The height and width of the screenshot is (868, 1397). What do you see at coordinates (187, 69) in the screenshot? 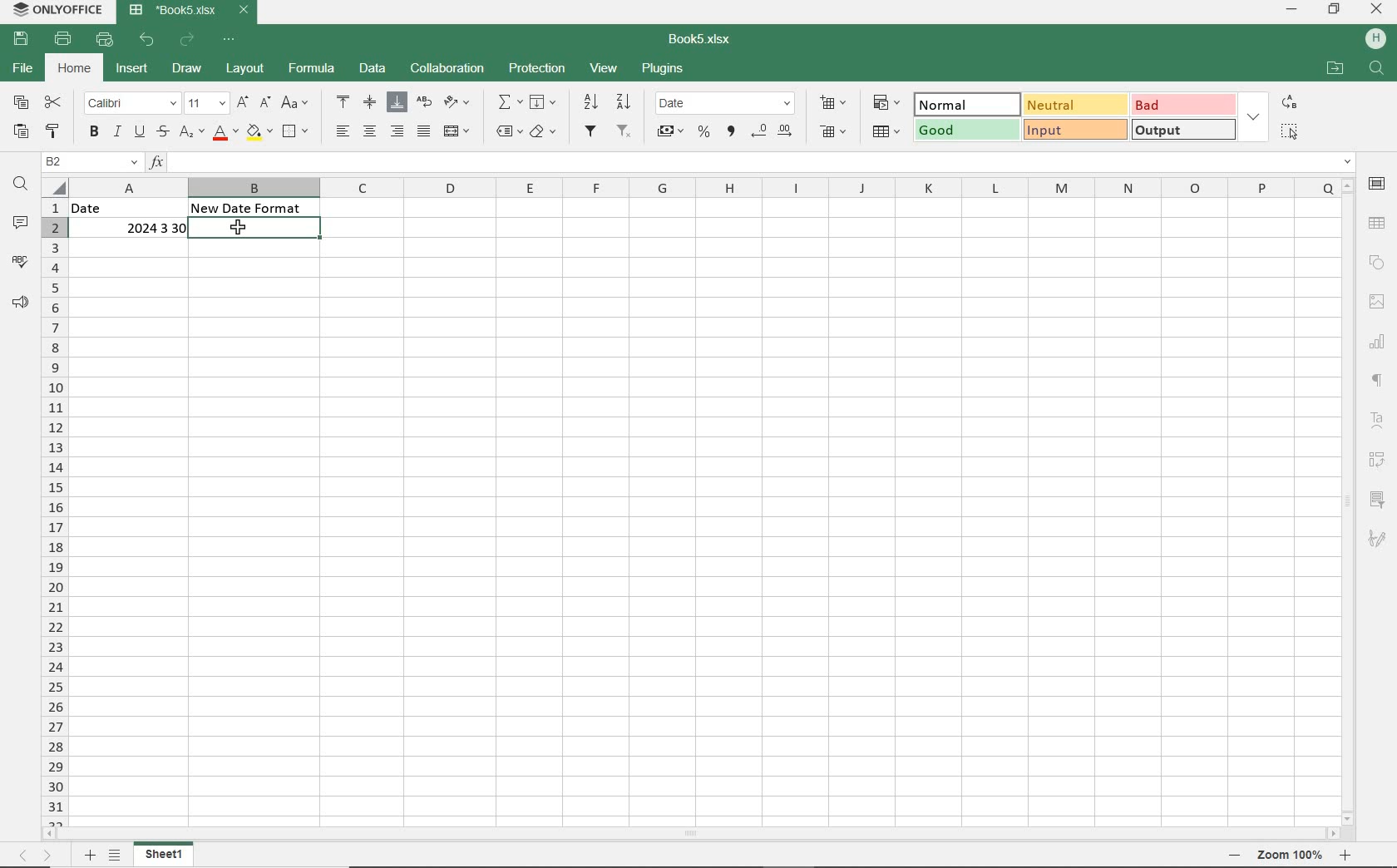
I see `SRAW` at bounding box center [187, 69].